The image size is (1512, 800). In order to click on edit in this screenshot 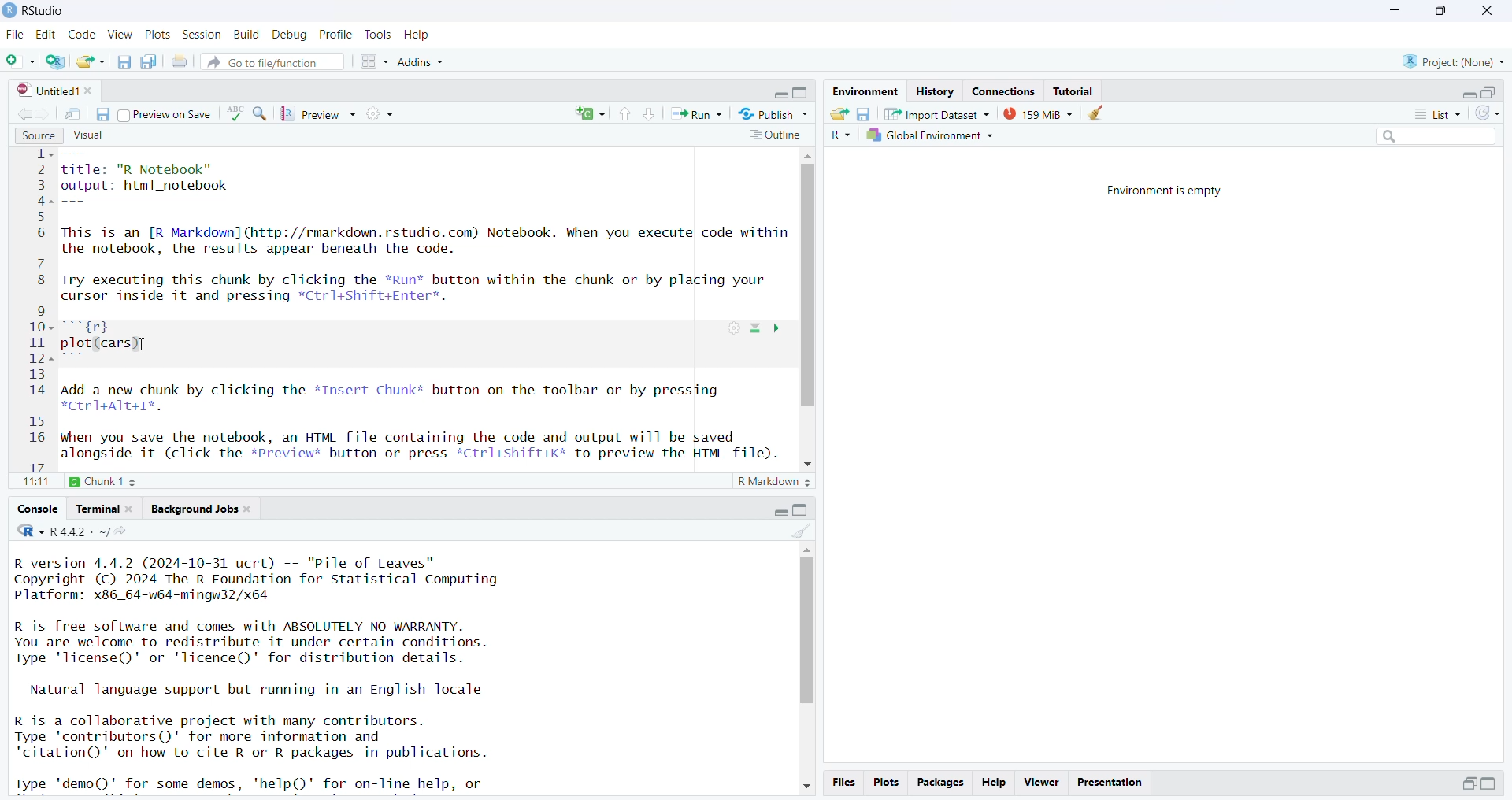, I will do `click(49, 35)`.